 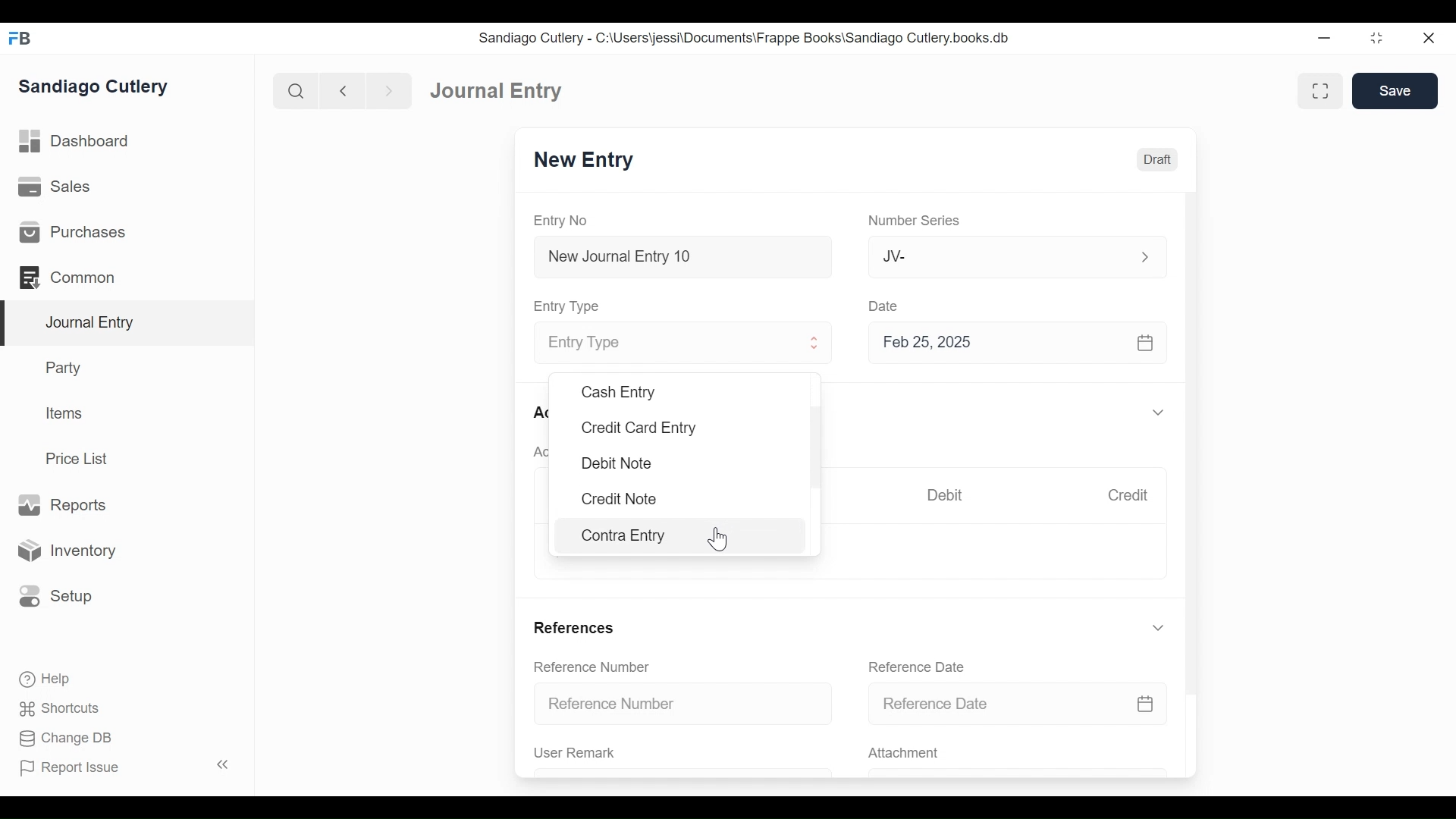 What do you see at coordinates (71, 550) in the screenshot?
I see `Inventory` at bounding box center [71, 550].